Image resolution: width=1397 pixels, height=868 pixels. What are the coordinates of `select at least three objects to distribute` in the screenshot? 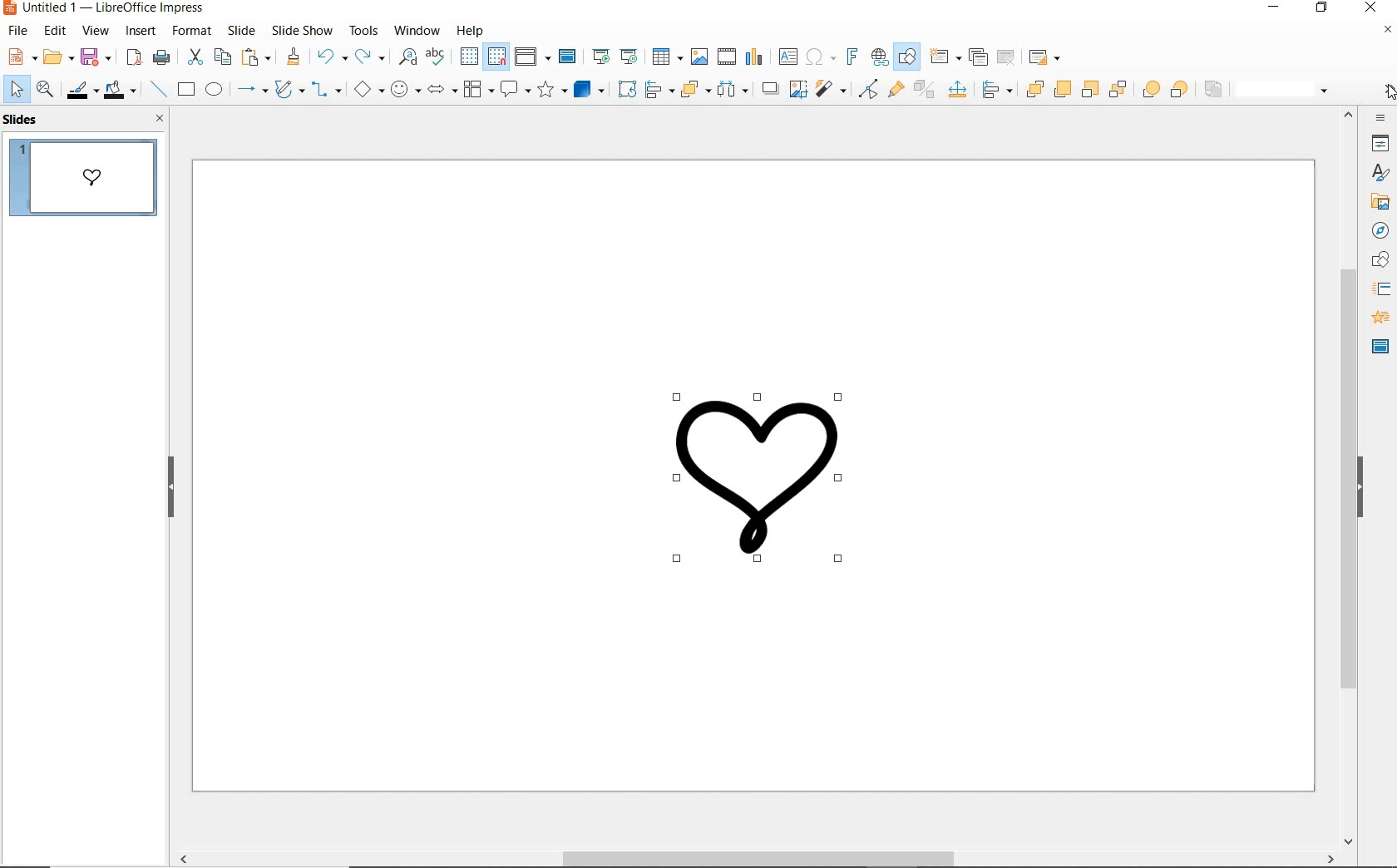 It's located at (733, 91).